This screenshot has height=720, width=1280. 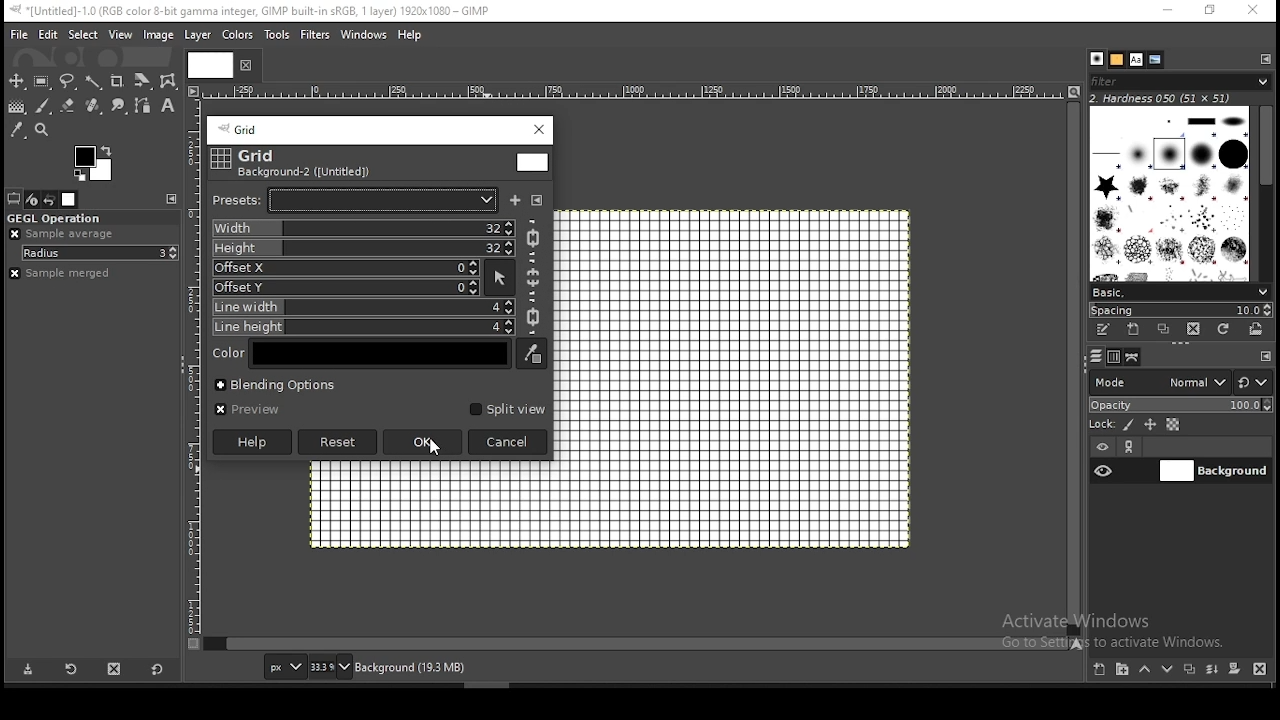 What do you see at coordinates (280, 35) in the screenshot?
I see `tools` at bounding box center [280, 35].